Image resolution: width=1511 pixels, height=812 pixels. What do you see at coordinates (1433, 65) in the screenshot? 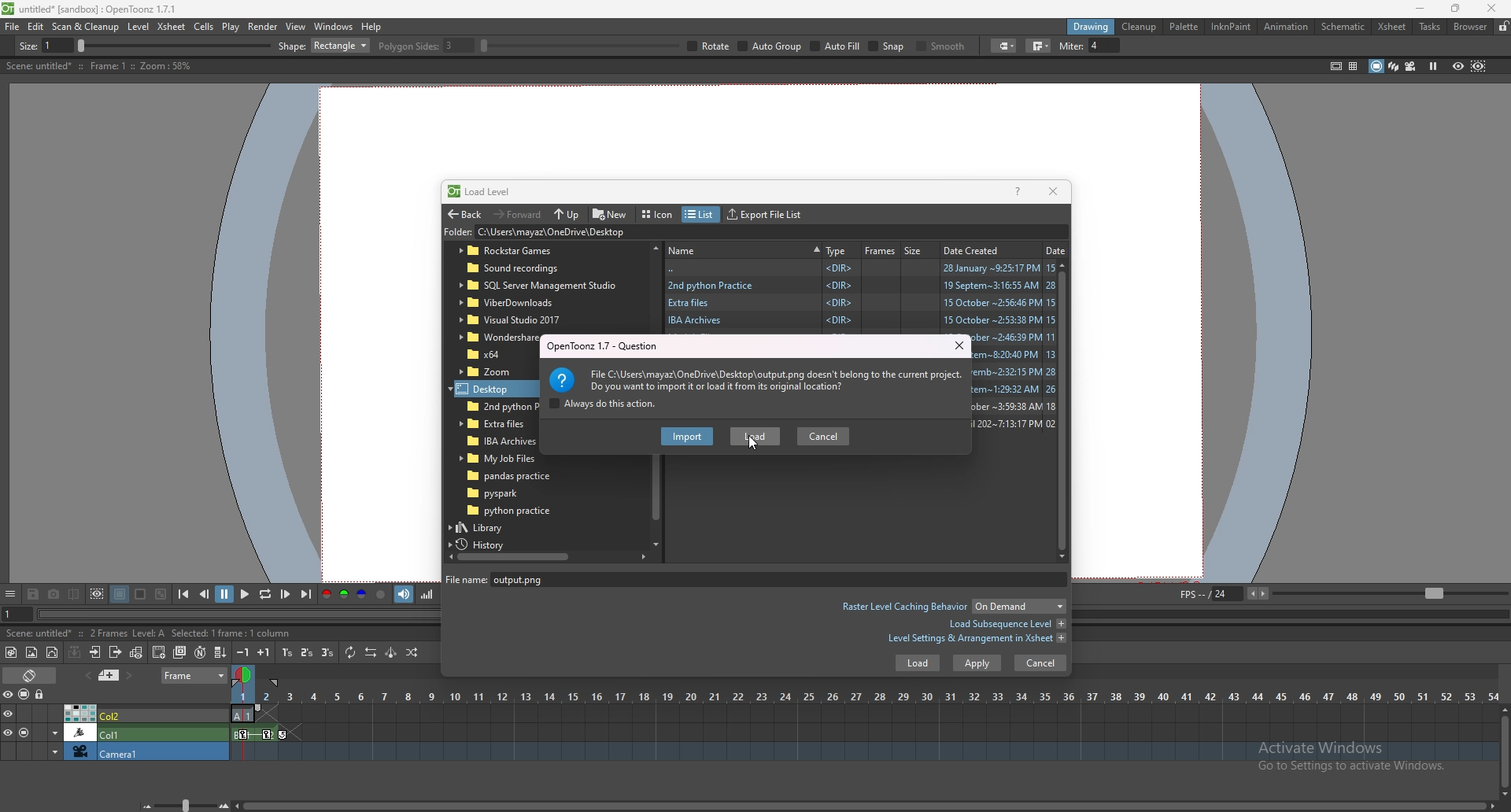
I see `freeze` at bounding box center [1433, 65].